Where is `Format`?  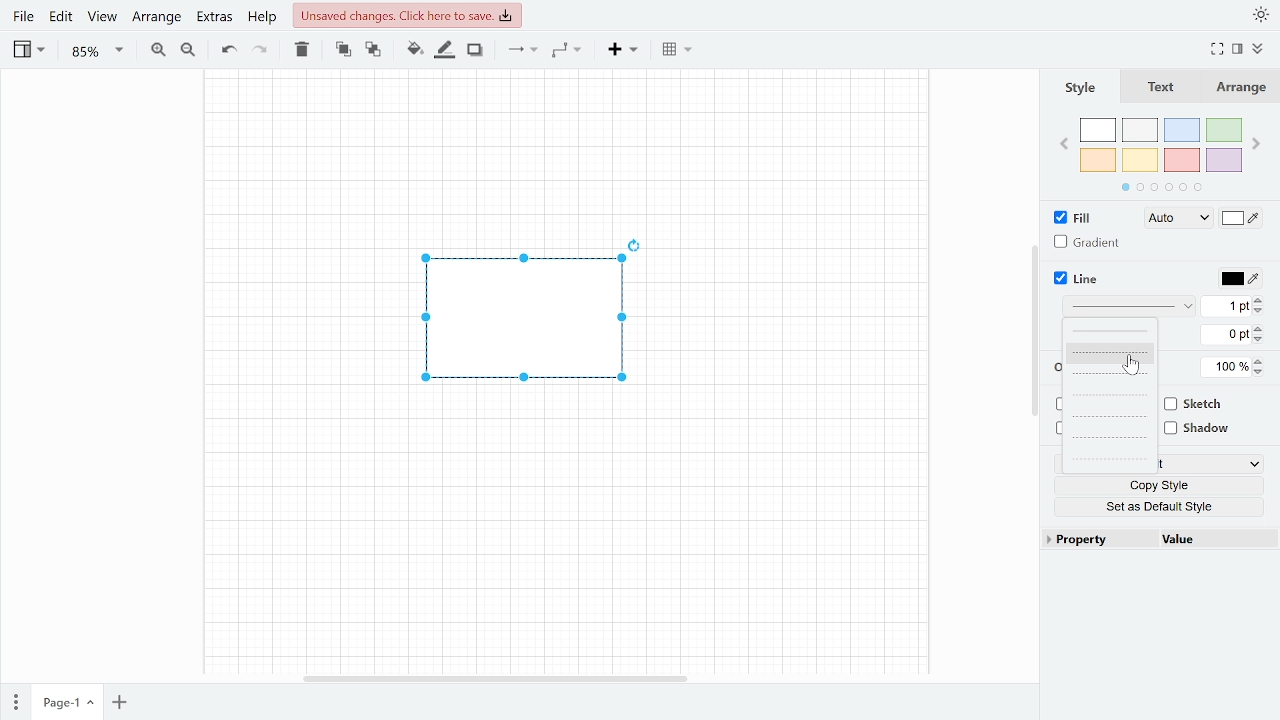 Format is located at coordinates (1237, 50).